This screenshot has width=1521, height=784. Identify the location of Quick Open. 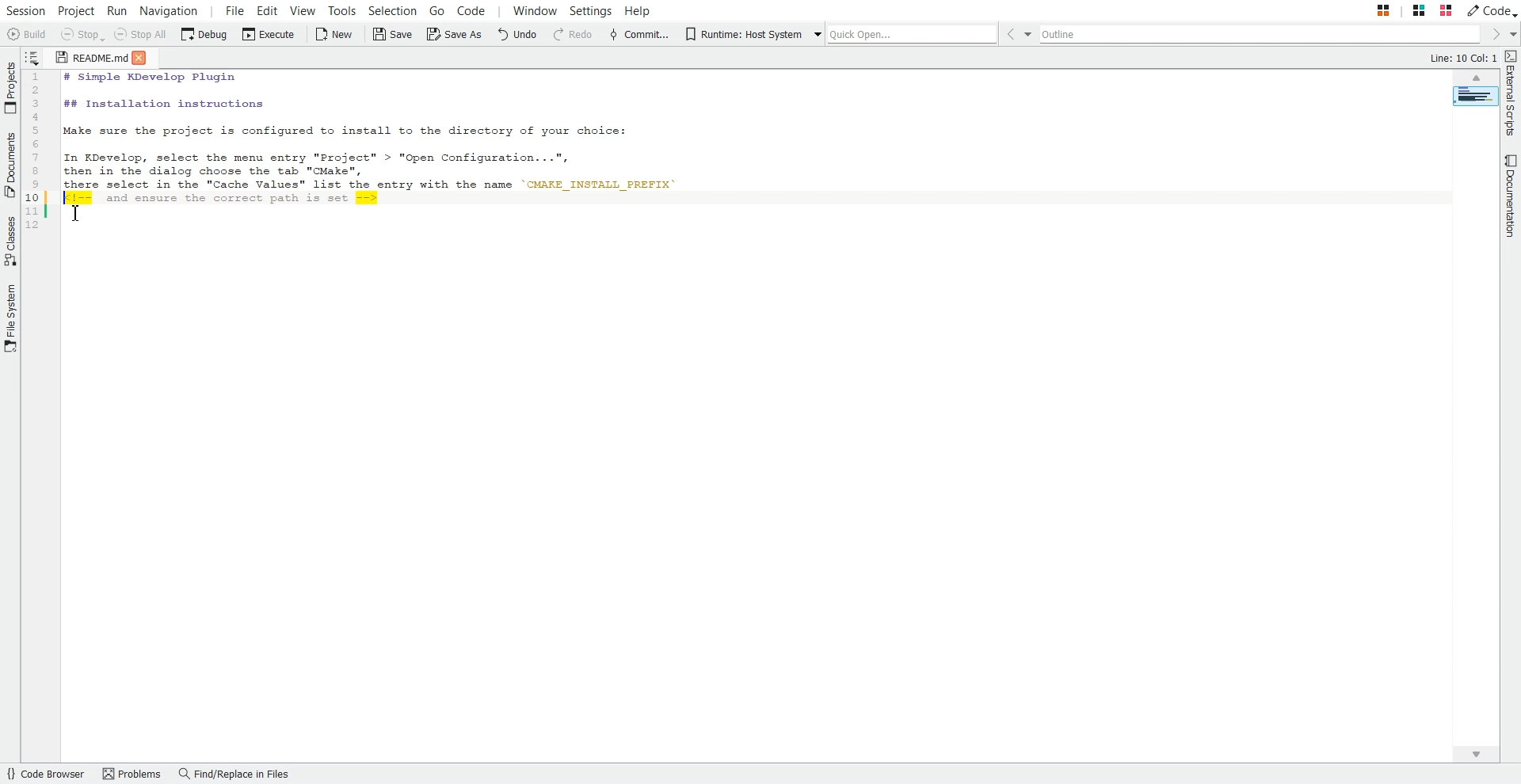
(907, 33).